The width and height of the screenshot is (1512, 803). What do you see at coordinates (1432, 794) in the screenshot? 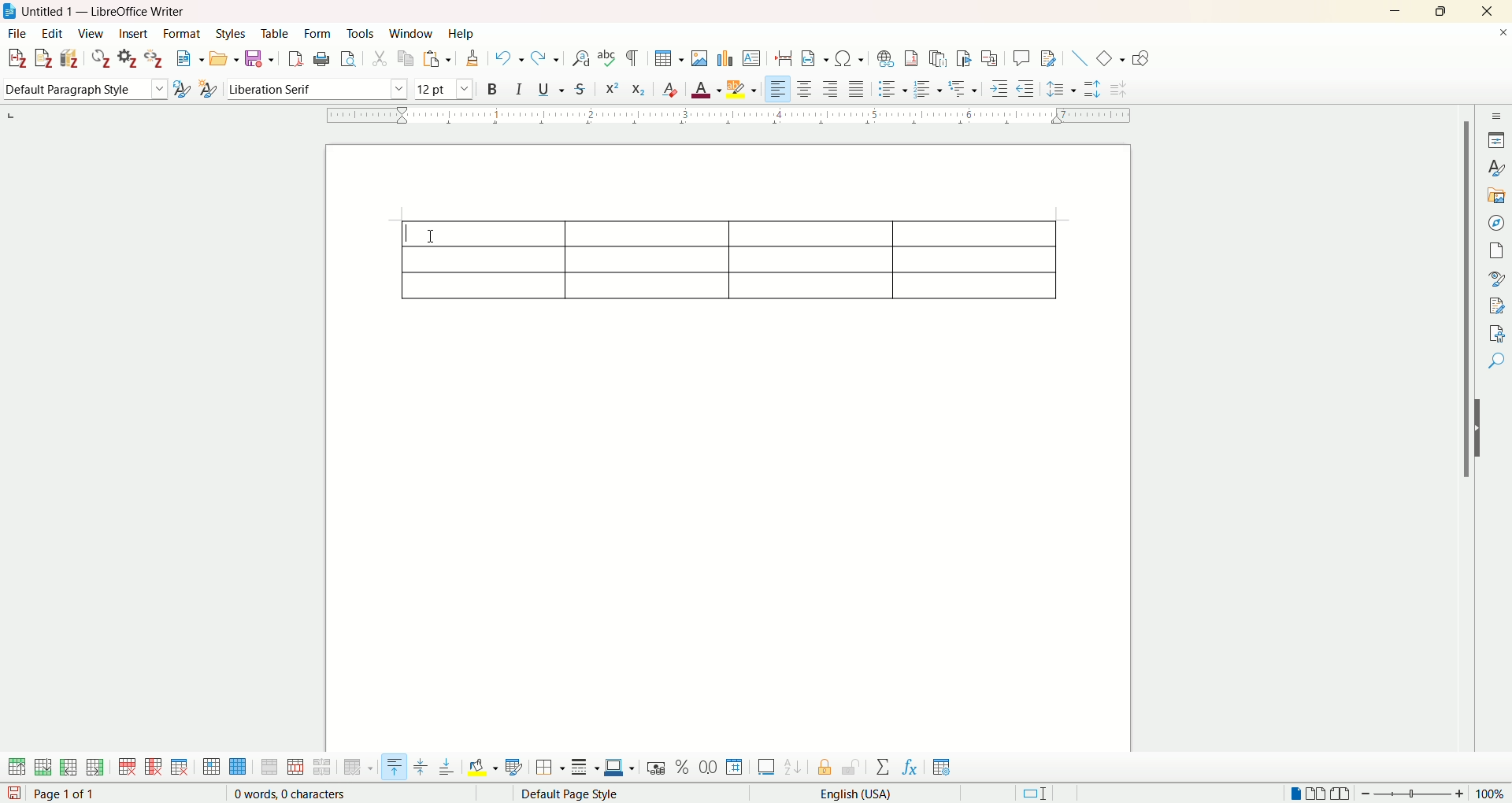
I see `zoom factor` at bounding box center [1432, 794].